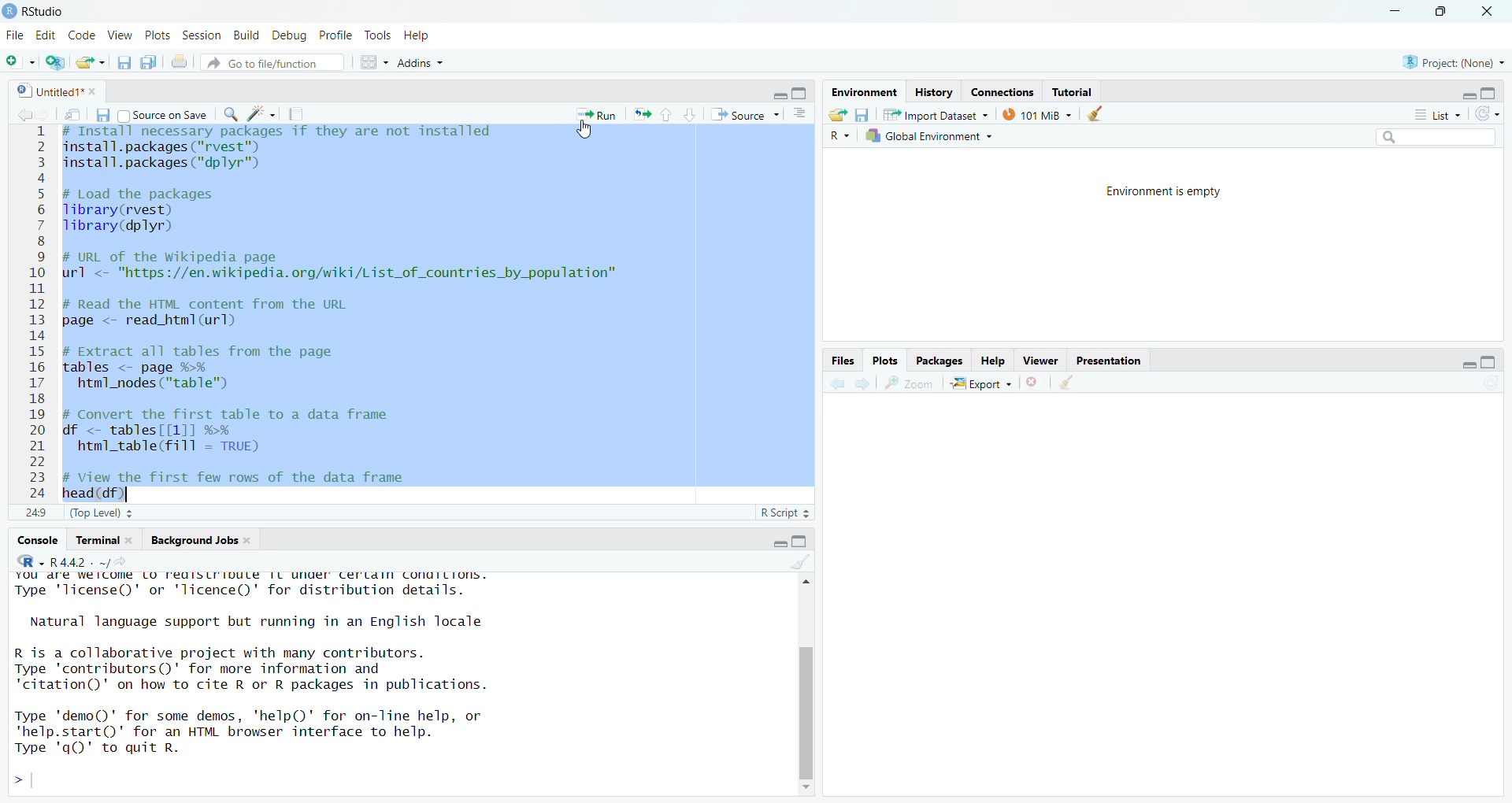 This screenshot has height=803, width=1512. What do you see at coordinates (939, 361) in the screenshot?
I see `Packages` at bounding box center [939, 361].